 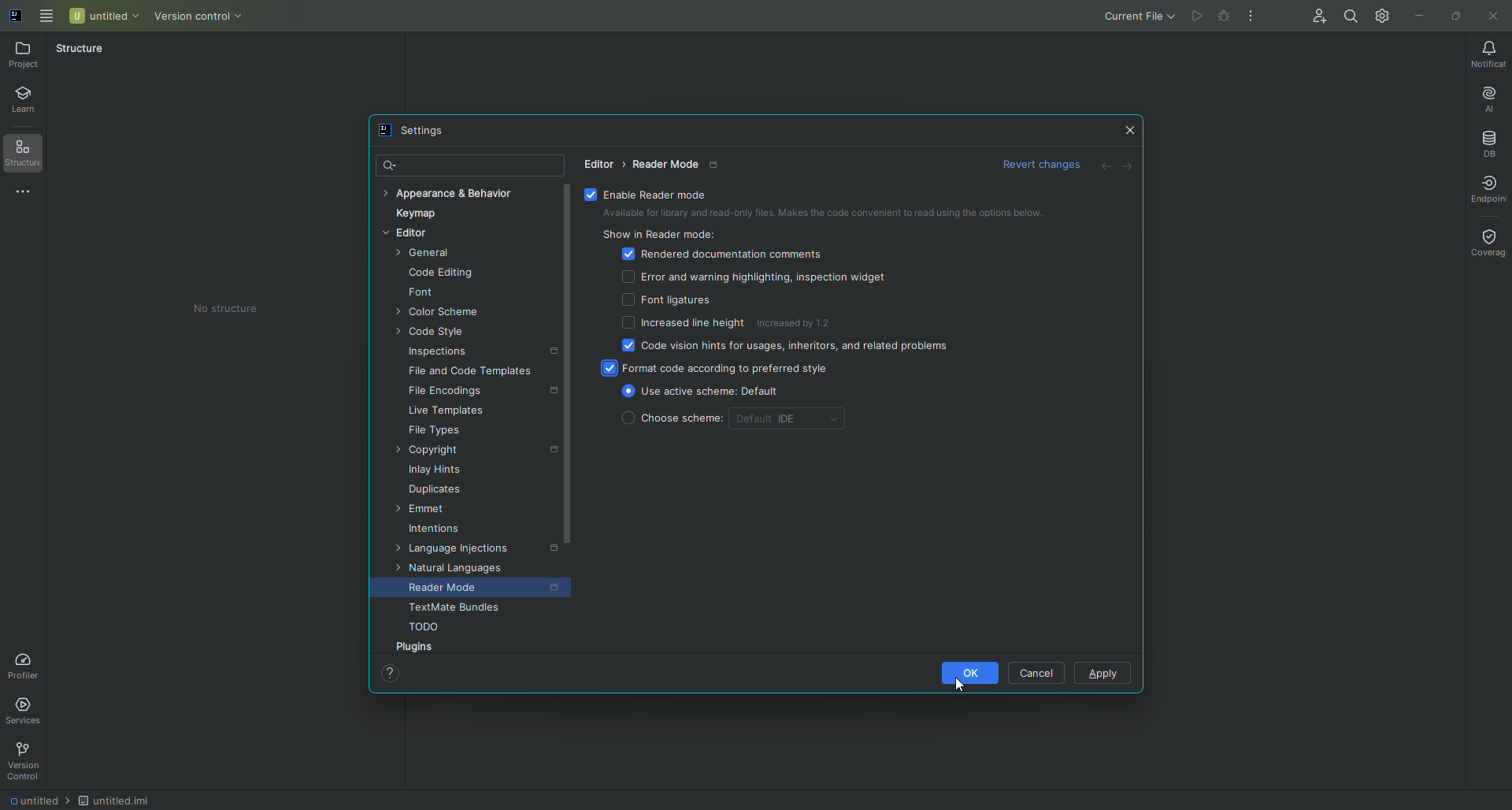 I want to click on Format code, so click(x=724, y=368).